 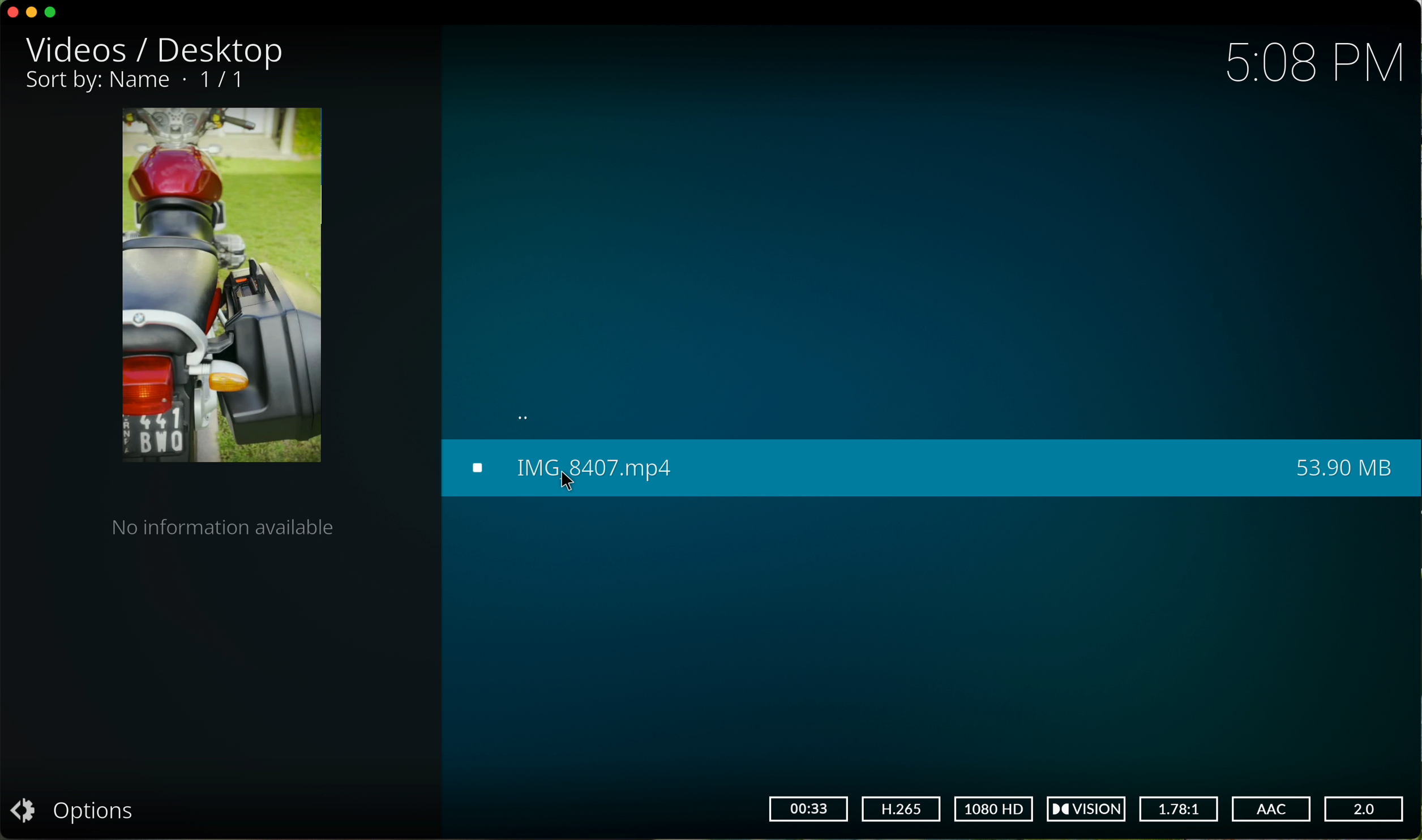 What do you see at coordinates (993, 809) in the screenshot?
I see `1080 HD` at bounding box center [993, 809].